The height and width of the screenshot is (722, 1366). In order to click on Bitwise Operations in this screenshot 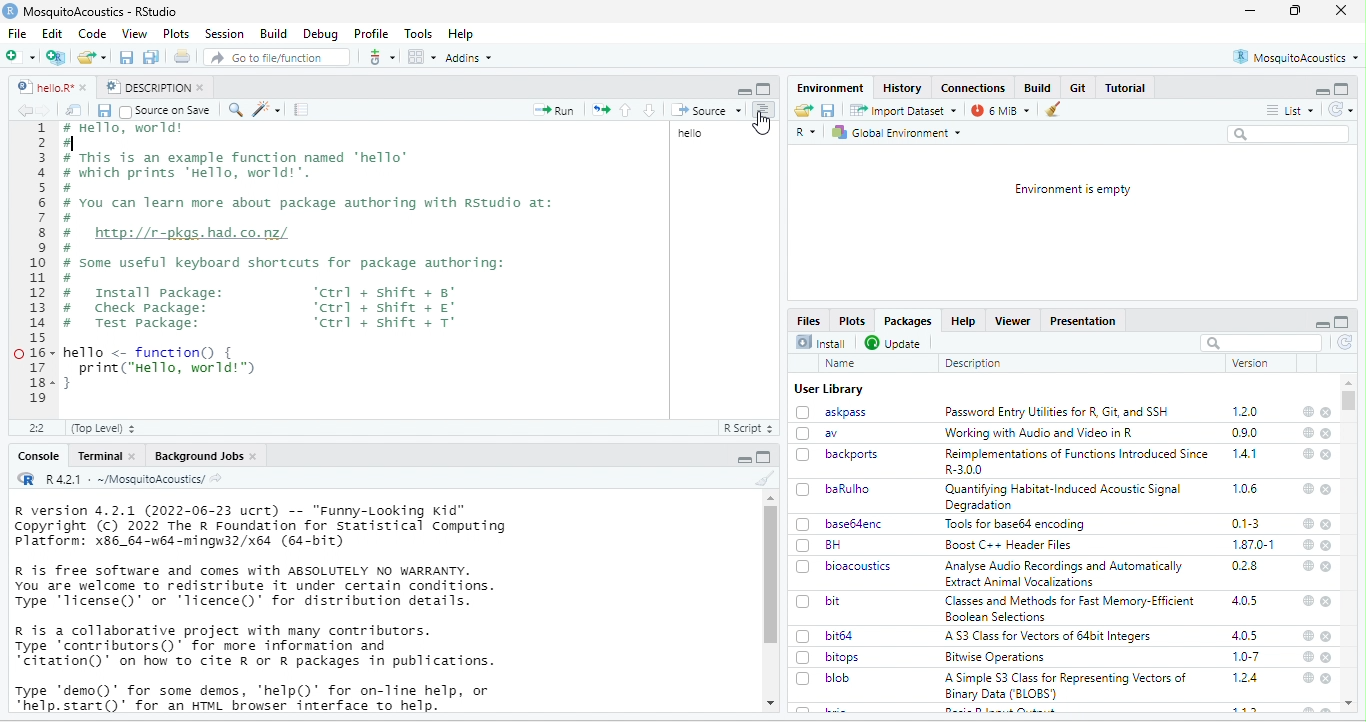, I will do `click(993, 658)`.